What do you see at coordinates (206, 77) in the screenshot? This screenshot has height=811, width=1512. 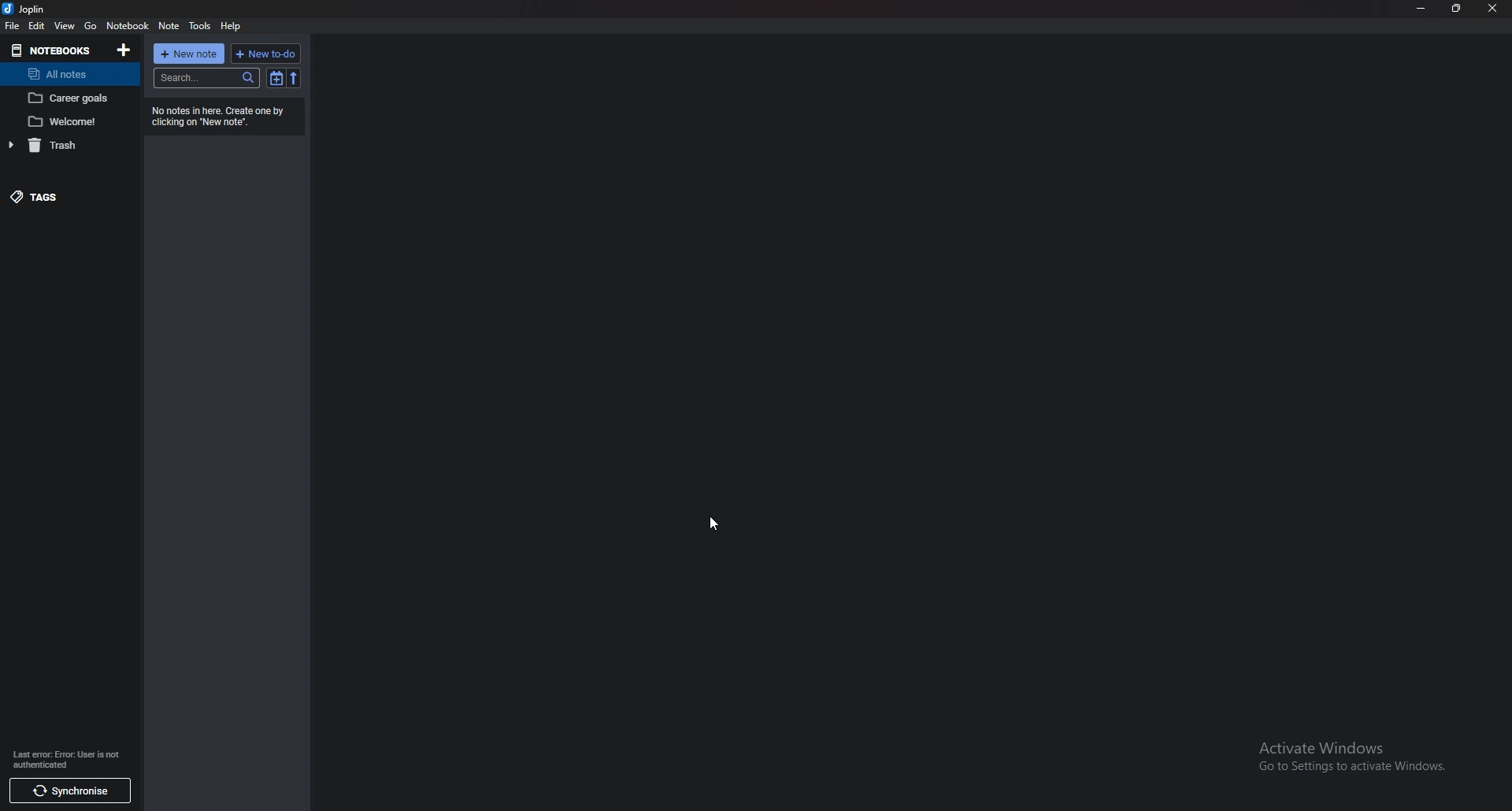 I see `search` at bounding box center [206, 77].